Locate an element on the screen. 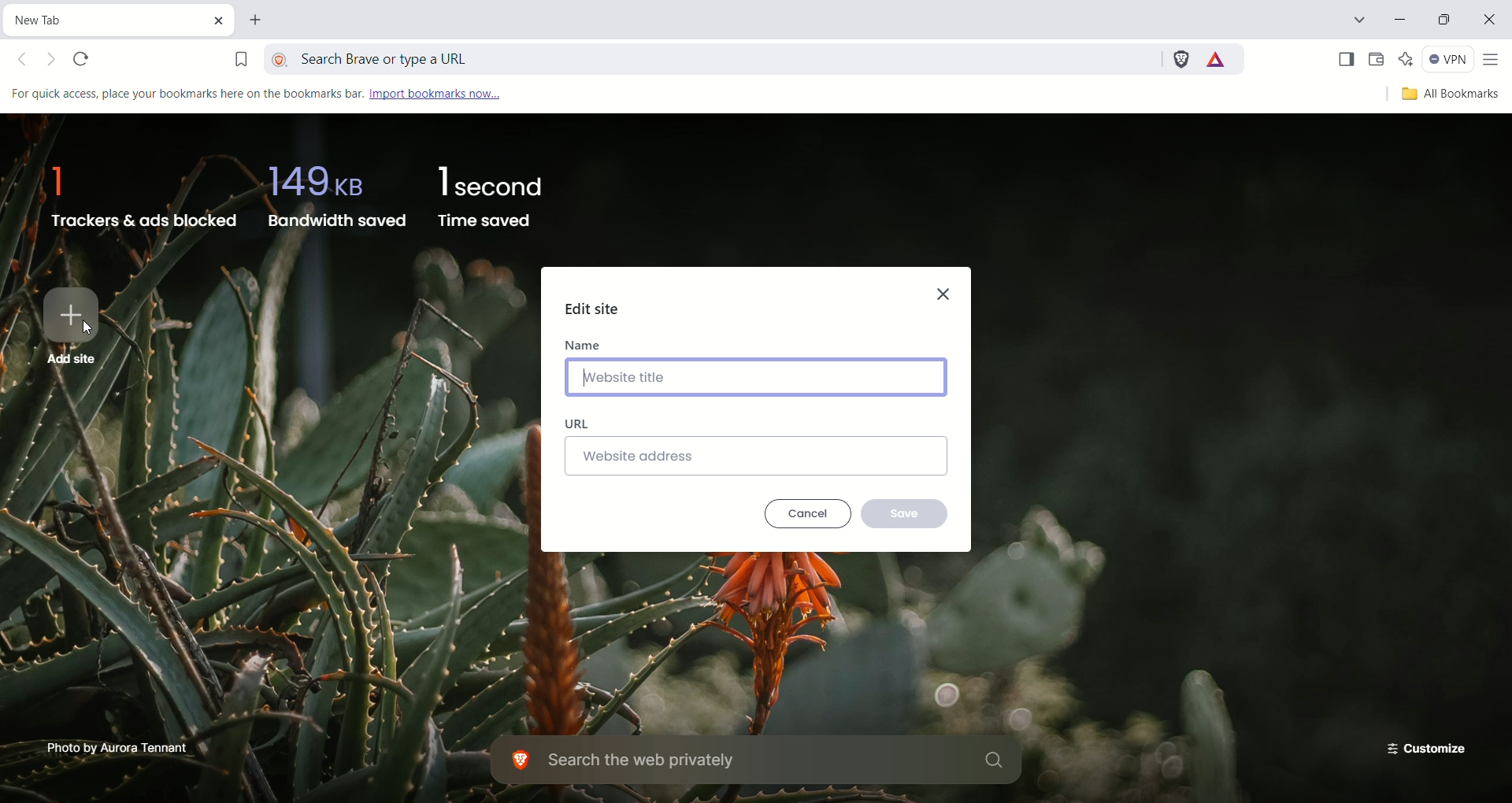 This screenshot has width=1512, height=803. bookmark is located at coordinates (240, 56).